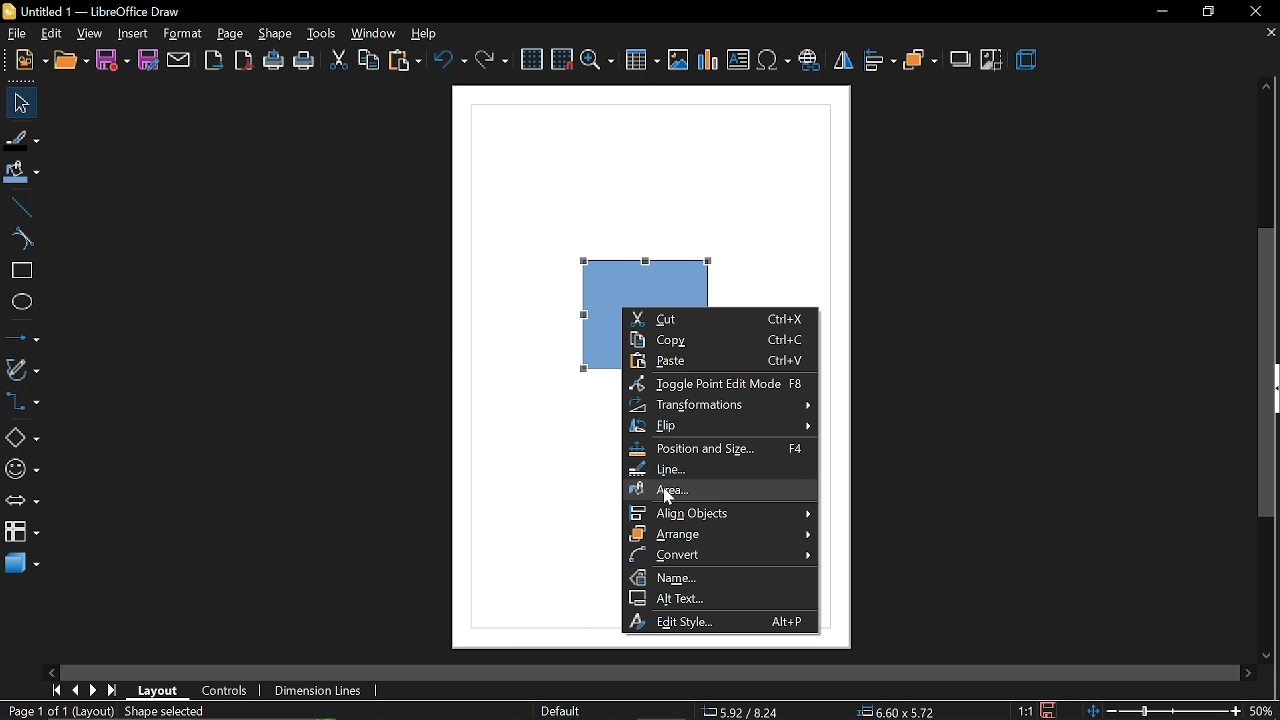 Image resolution: width=1280 pixels, height=720 pixels. Describe the element at coordinates (1271, 656) in the screenshot. I see `Move down` at that location.